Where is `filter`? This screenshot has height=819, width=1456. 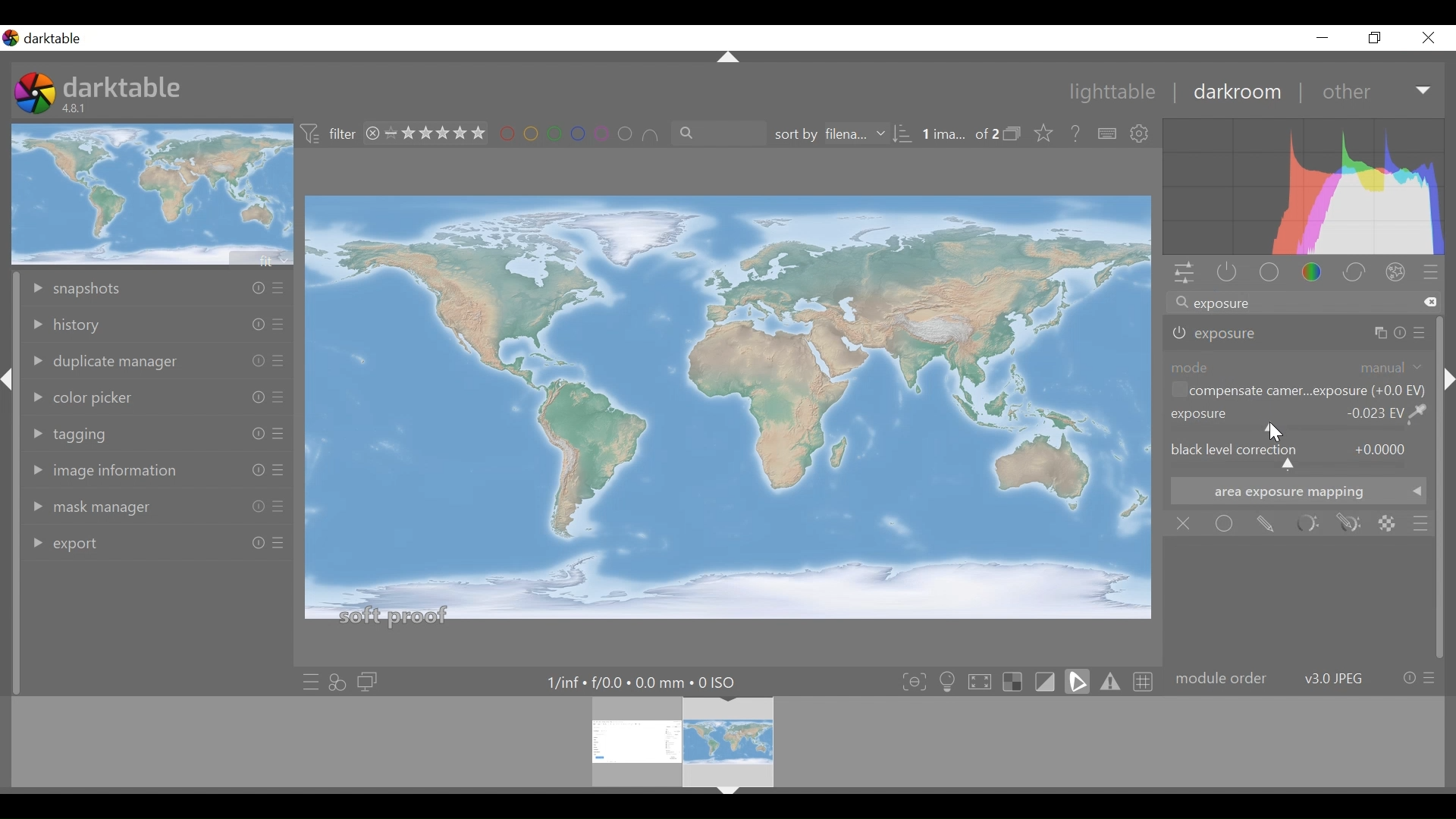
filter is located at coordinates (329, 134).